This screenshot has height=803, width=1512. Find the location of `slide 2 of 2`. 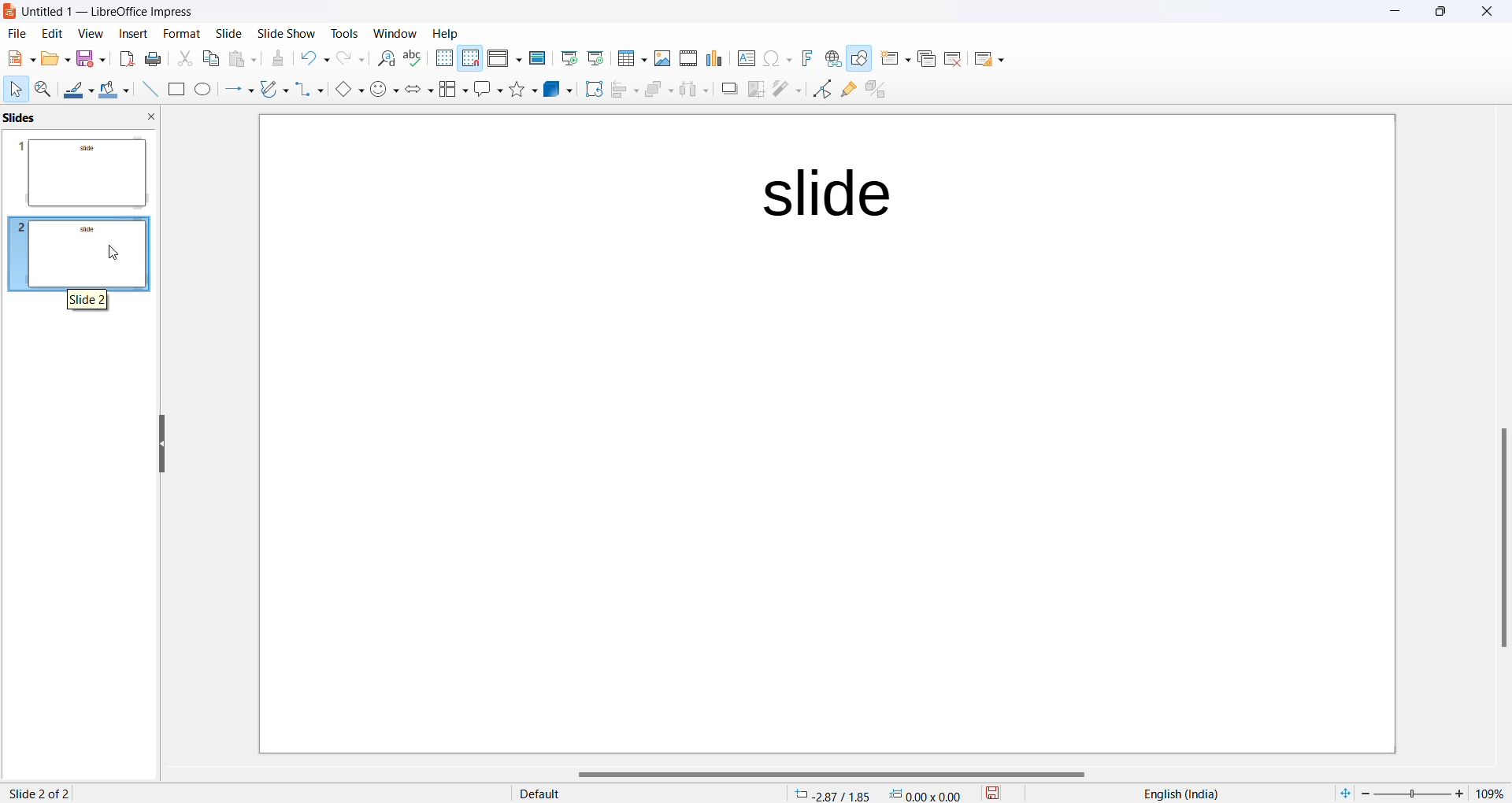

slide 2 of 2 is located at coordinates (41, 791).